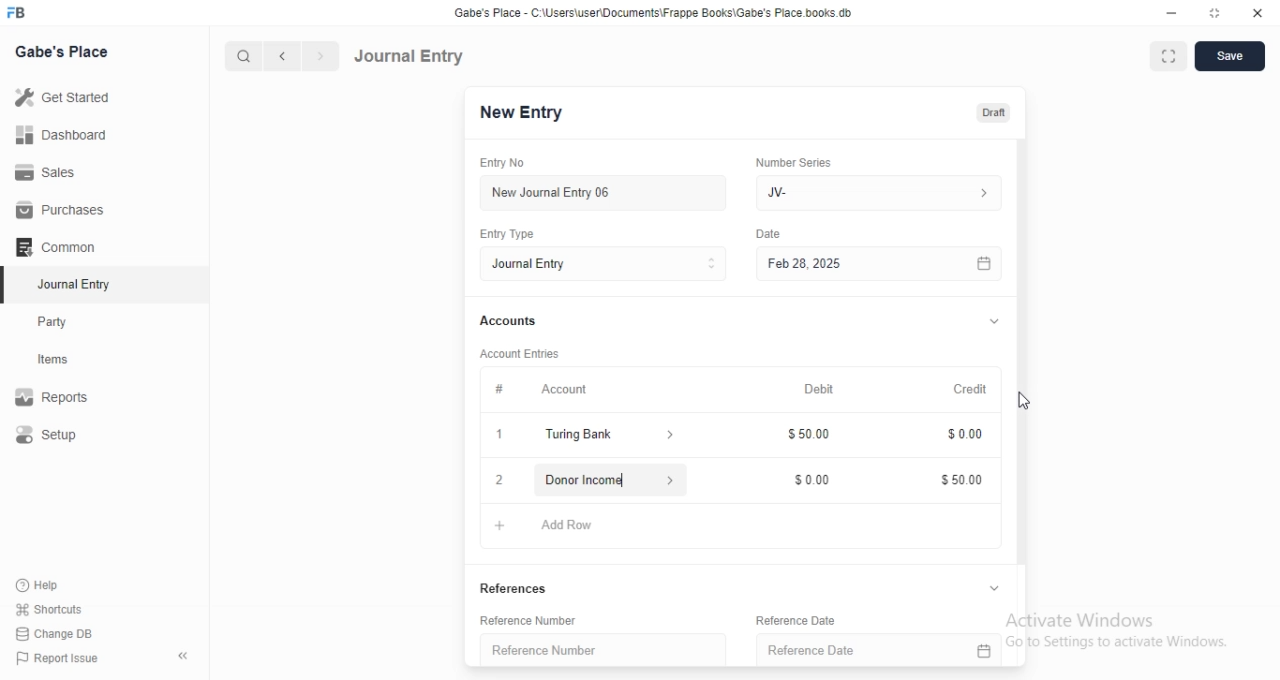 The width and height of the screenshot is (1280, 680). Describe the element at coordinates (771, 236) in the screenshot. I see `` at that location.